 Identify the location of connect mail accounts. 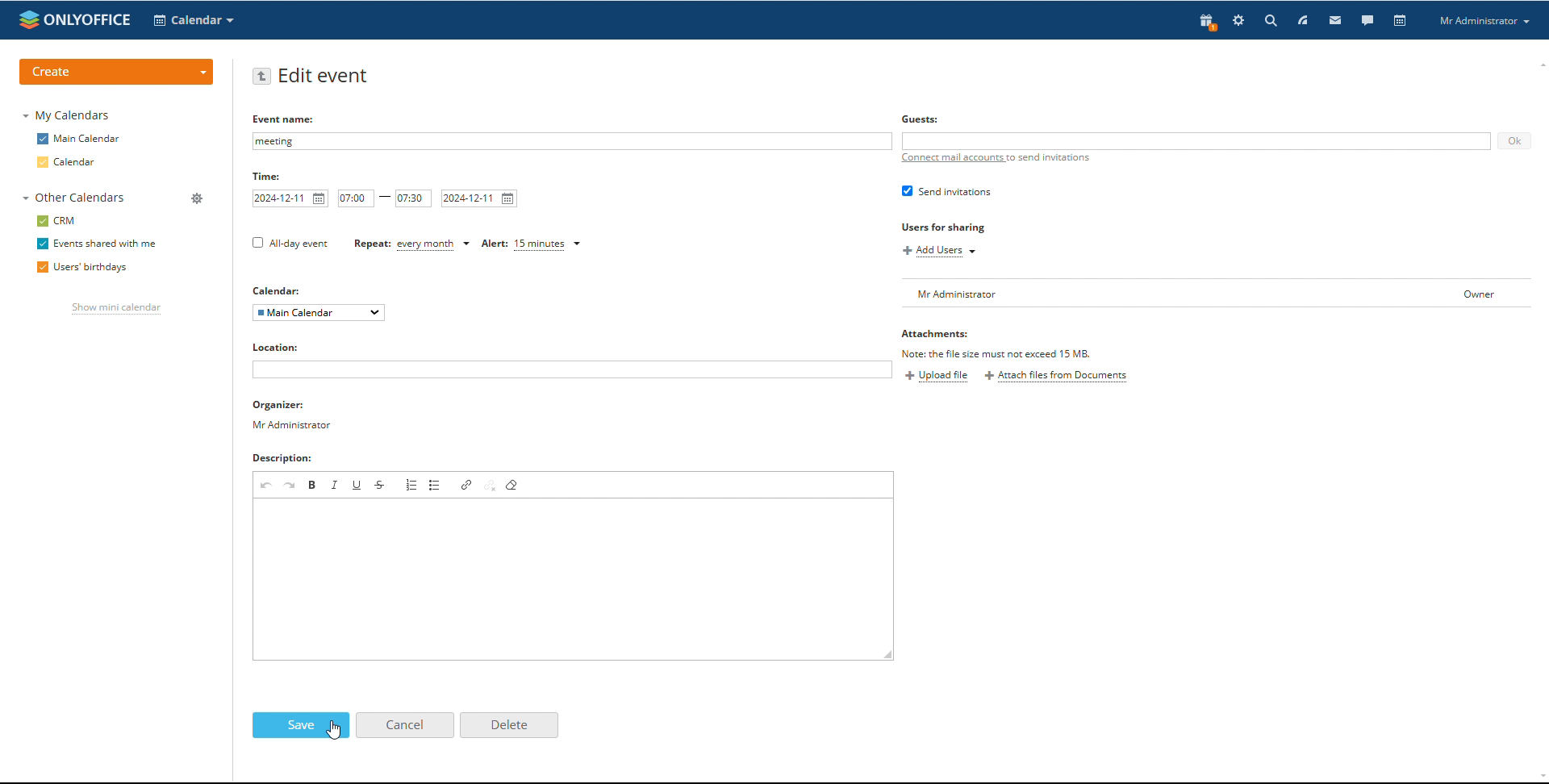
(997, 157).